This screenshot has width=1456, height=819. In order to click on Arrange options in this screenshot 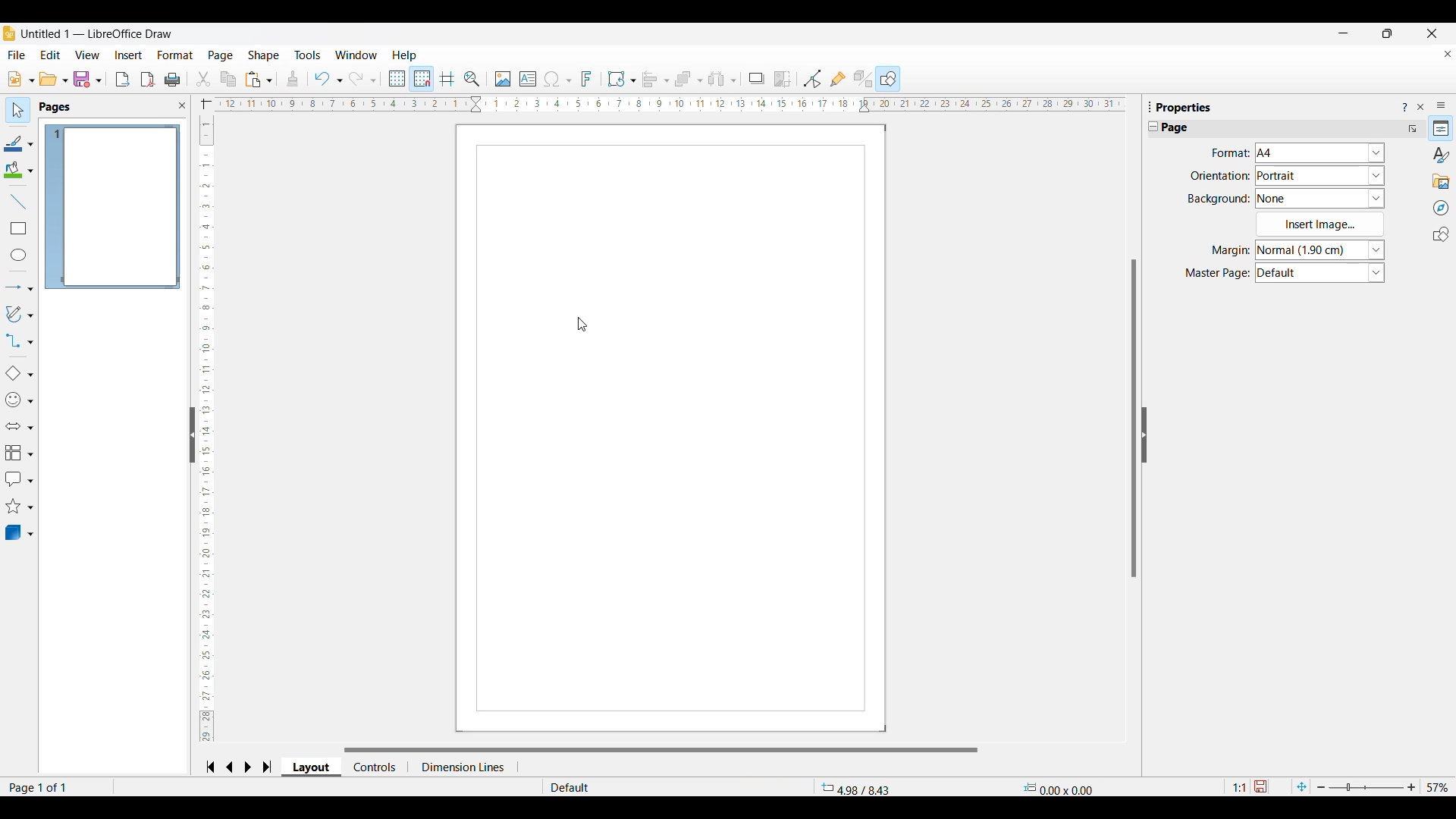, I will do `click(689, 80)`.